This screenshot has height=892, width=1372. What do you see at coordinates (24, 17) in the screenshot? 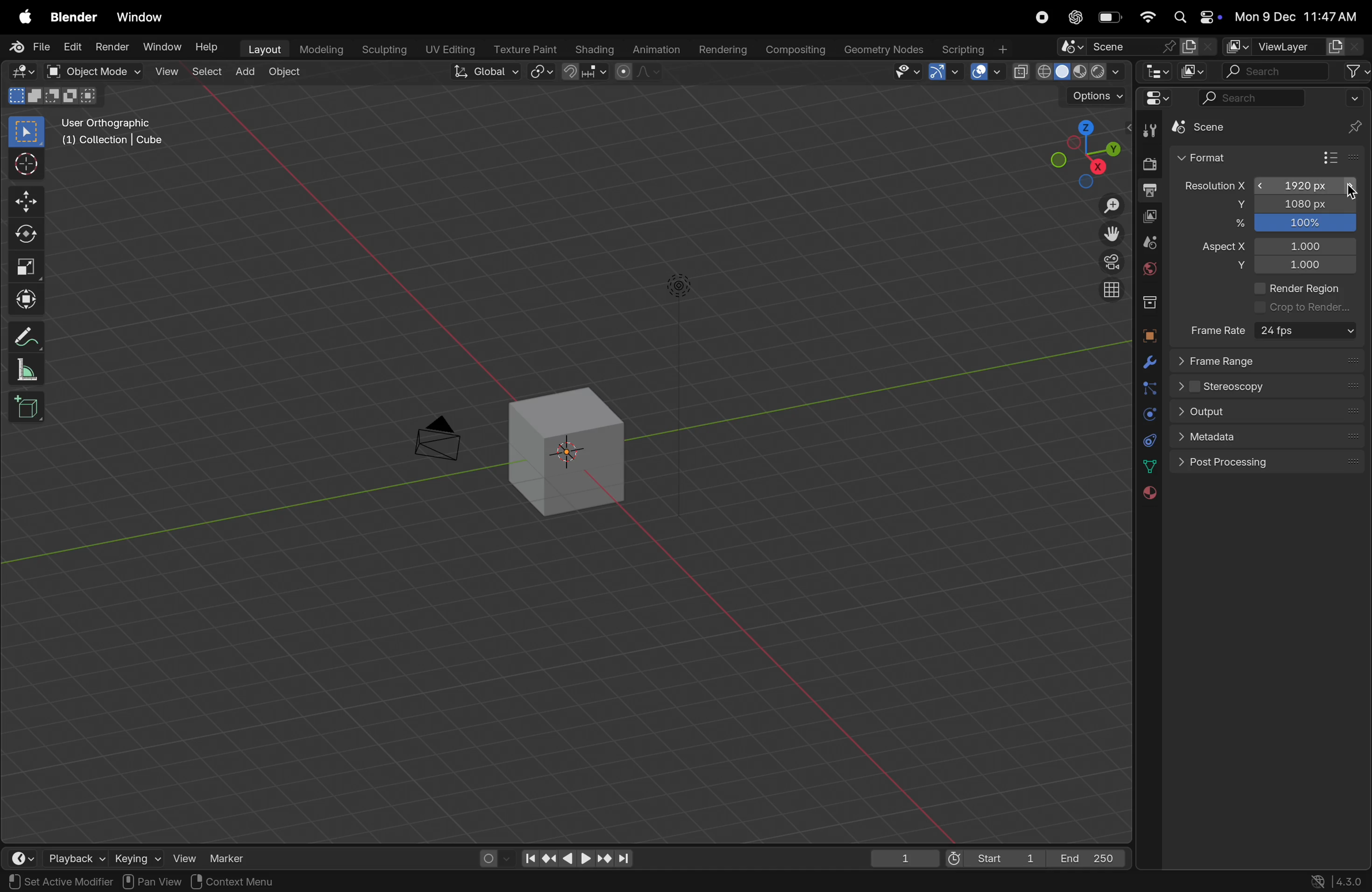
I see `apple menu` at bounding box center [24, 17].